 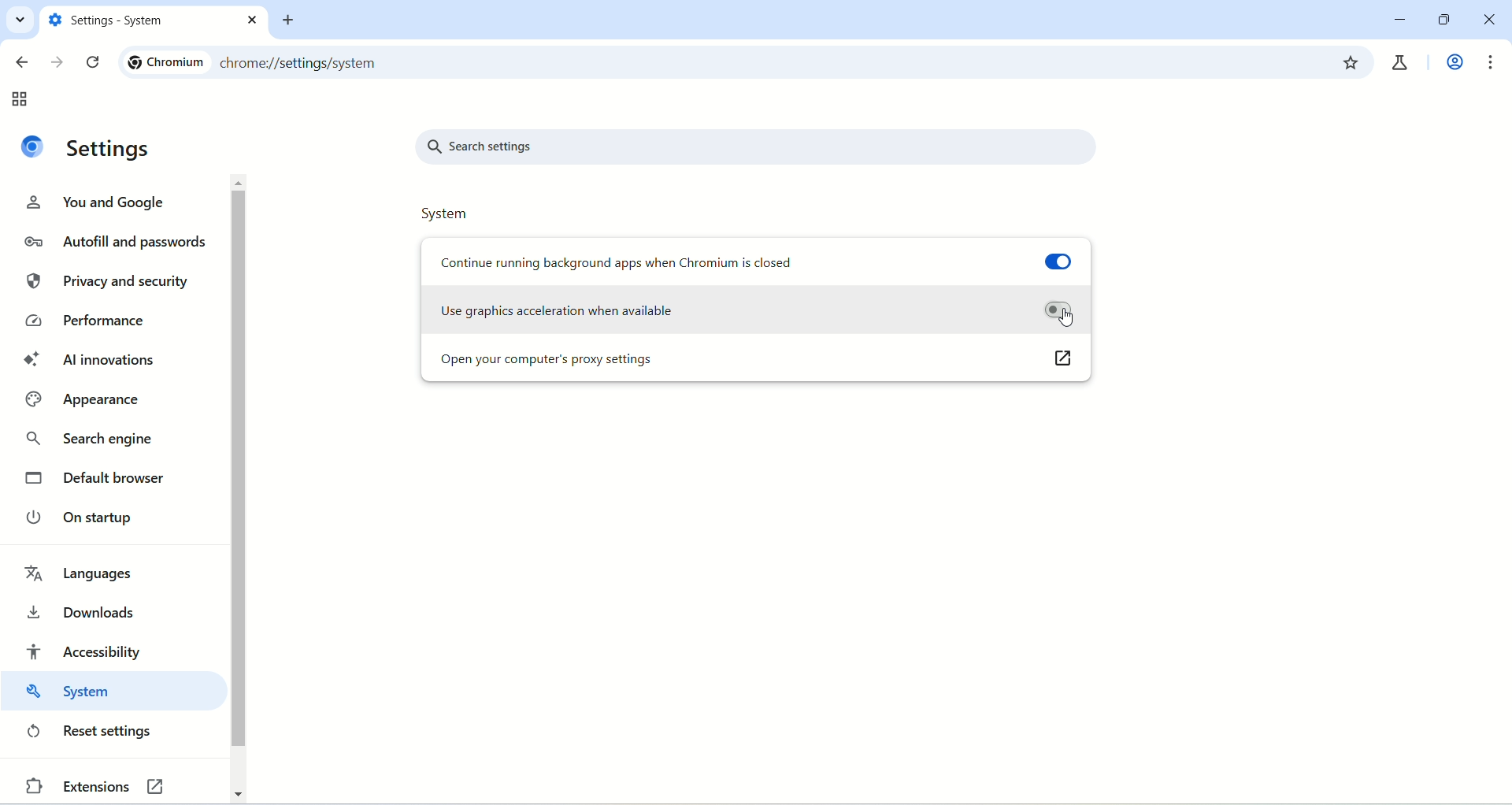 I want to click on vertical scroll bar, so click(x=243, y=488).